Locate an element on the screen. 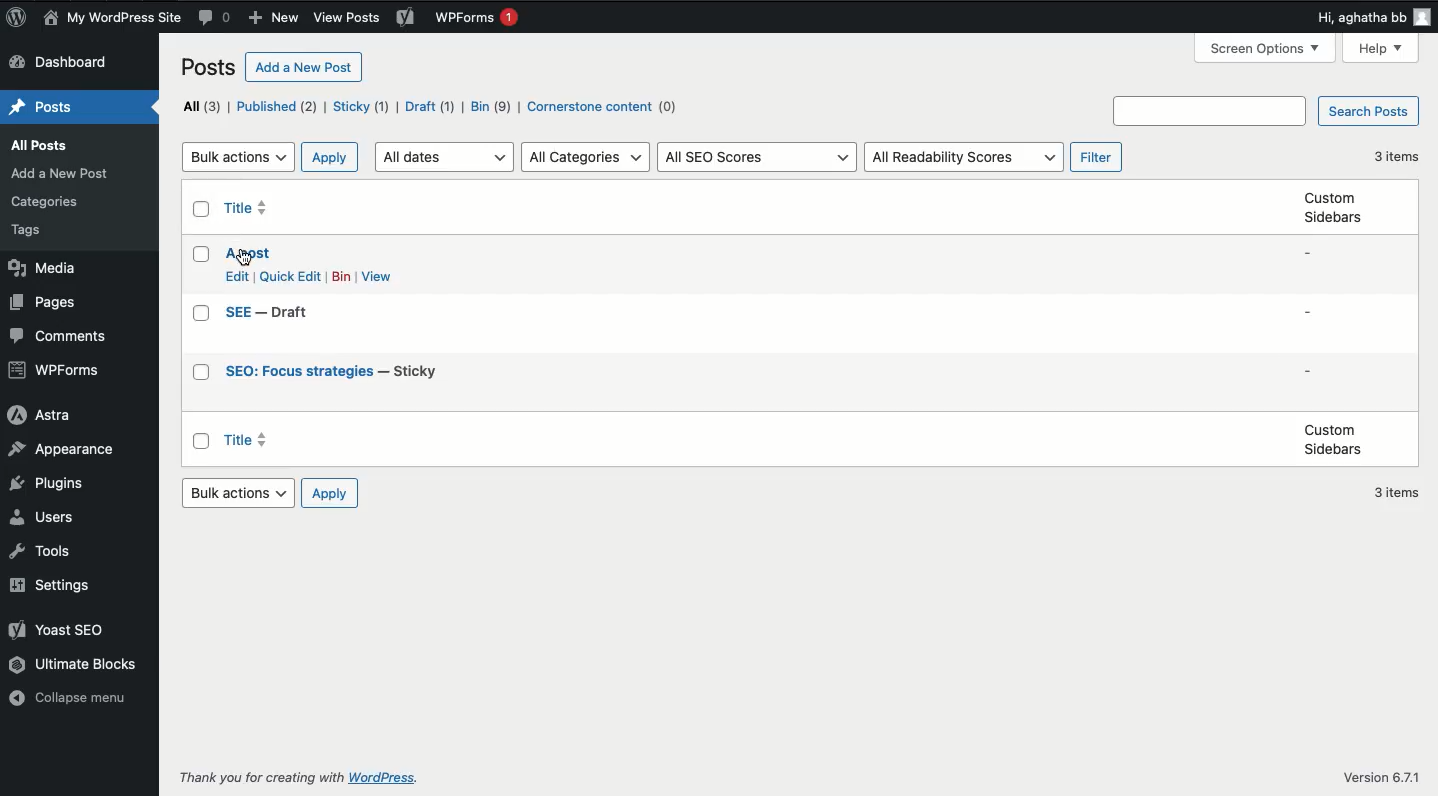 This screenshot has width=1438, height=796. Cornerstone content is located at coordinates (605, 107).